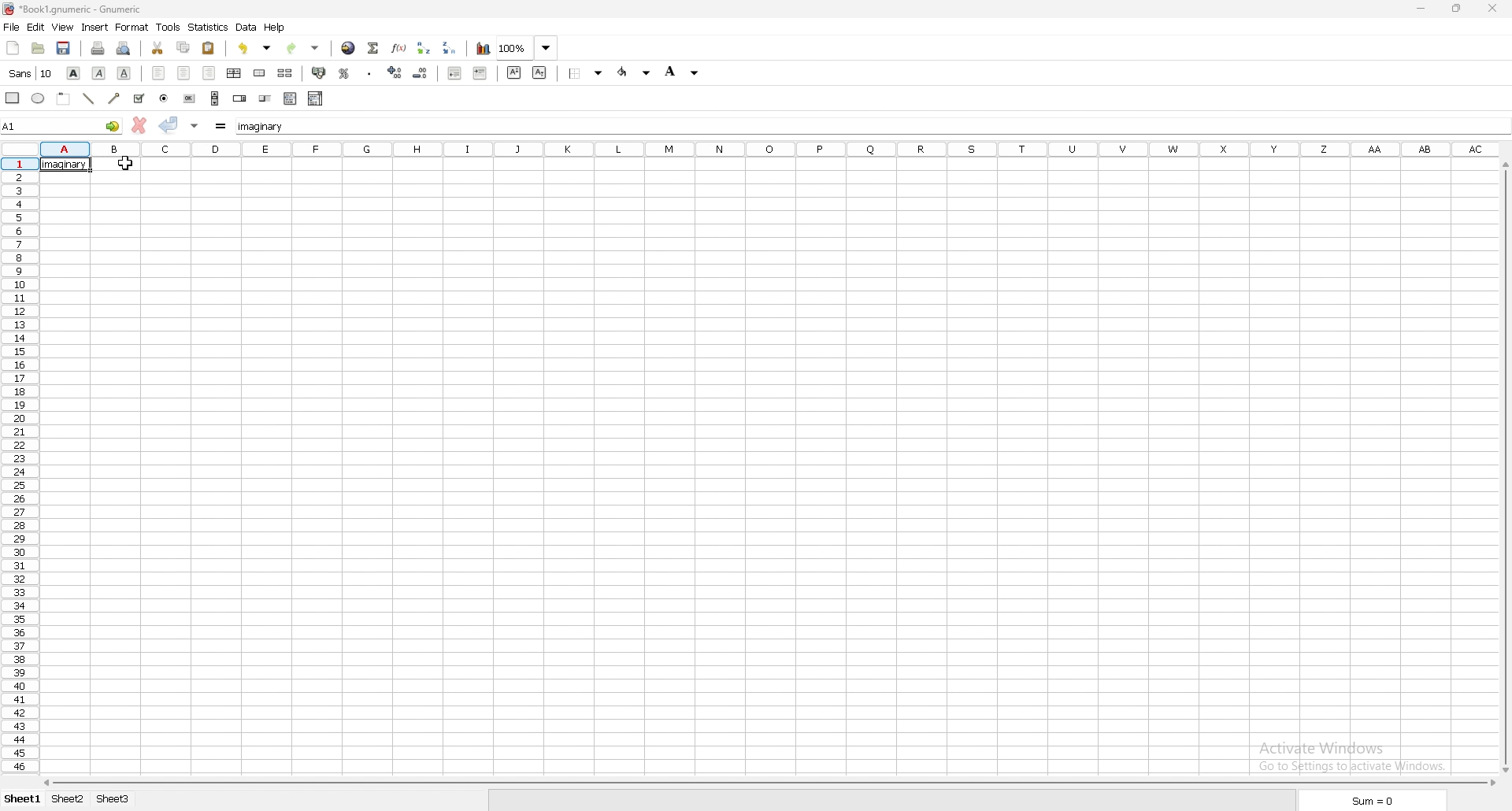  I want to click on tools, so click(169, 27).